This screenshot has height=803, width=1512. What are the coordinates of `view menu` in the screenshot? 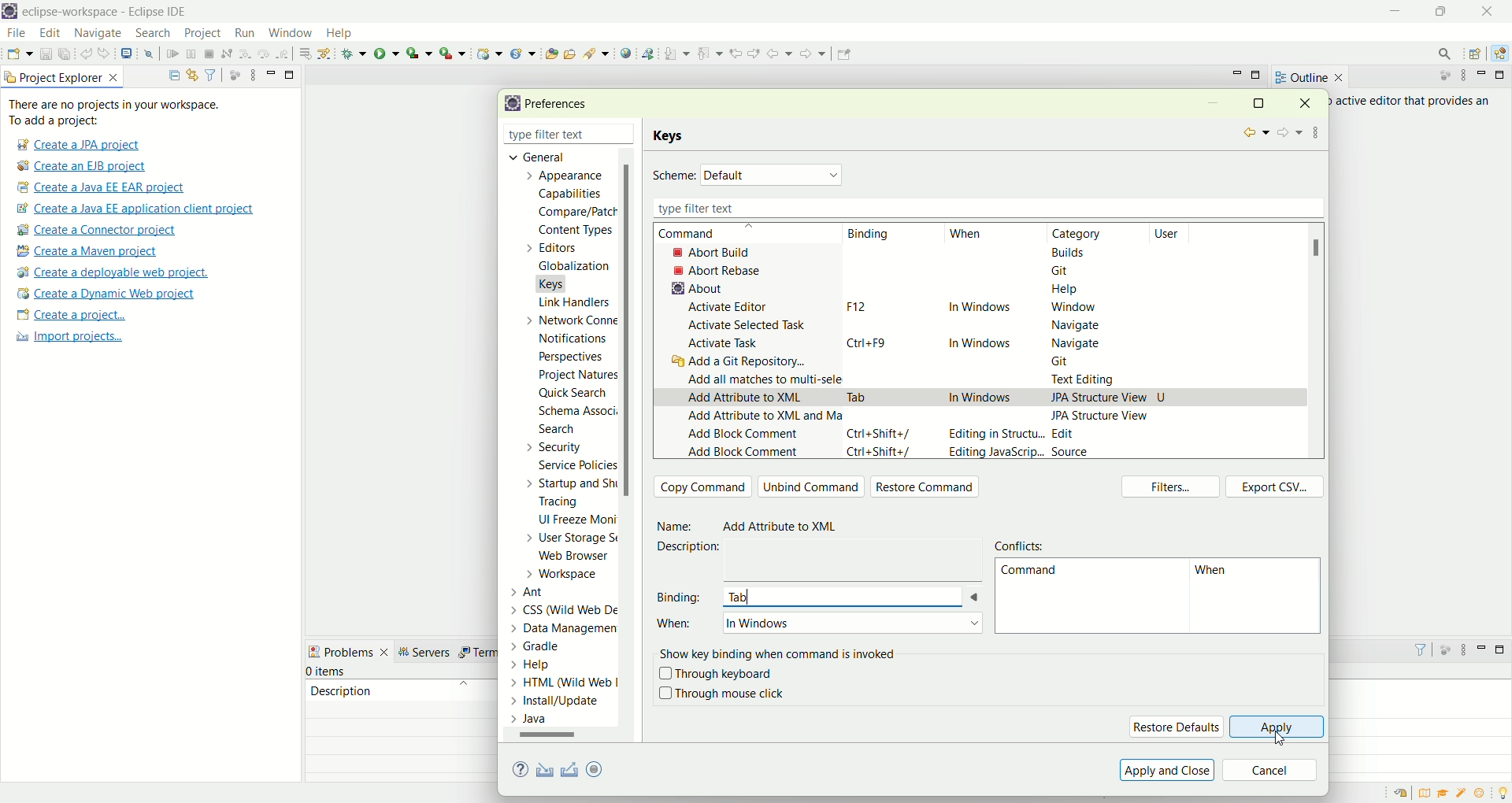 It's located at (1462, 76).